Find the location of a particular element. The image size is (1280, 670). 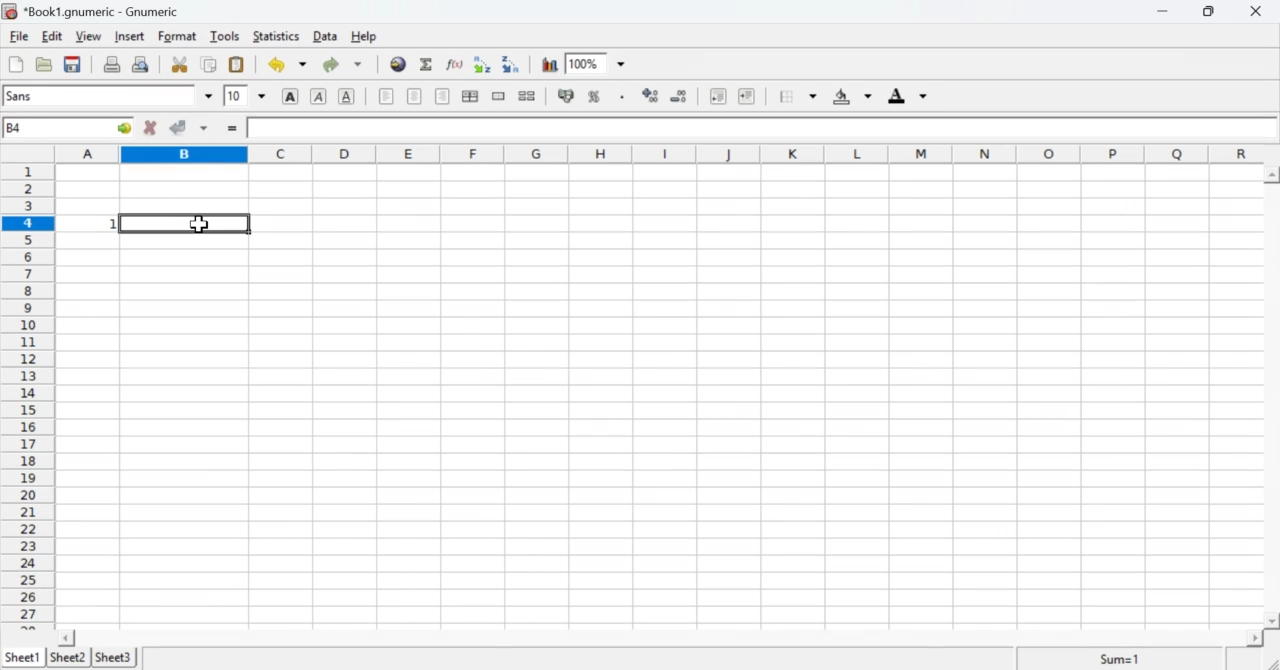

Insert is located at coordinates (130, 36).